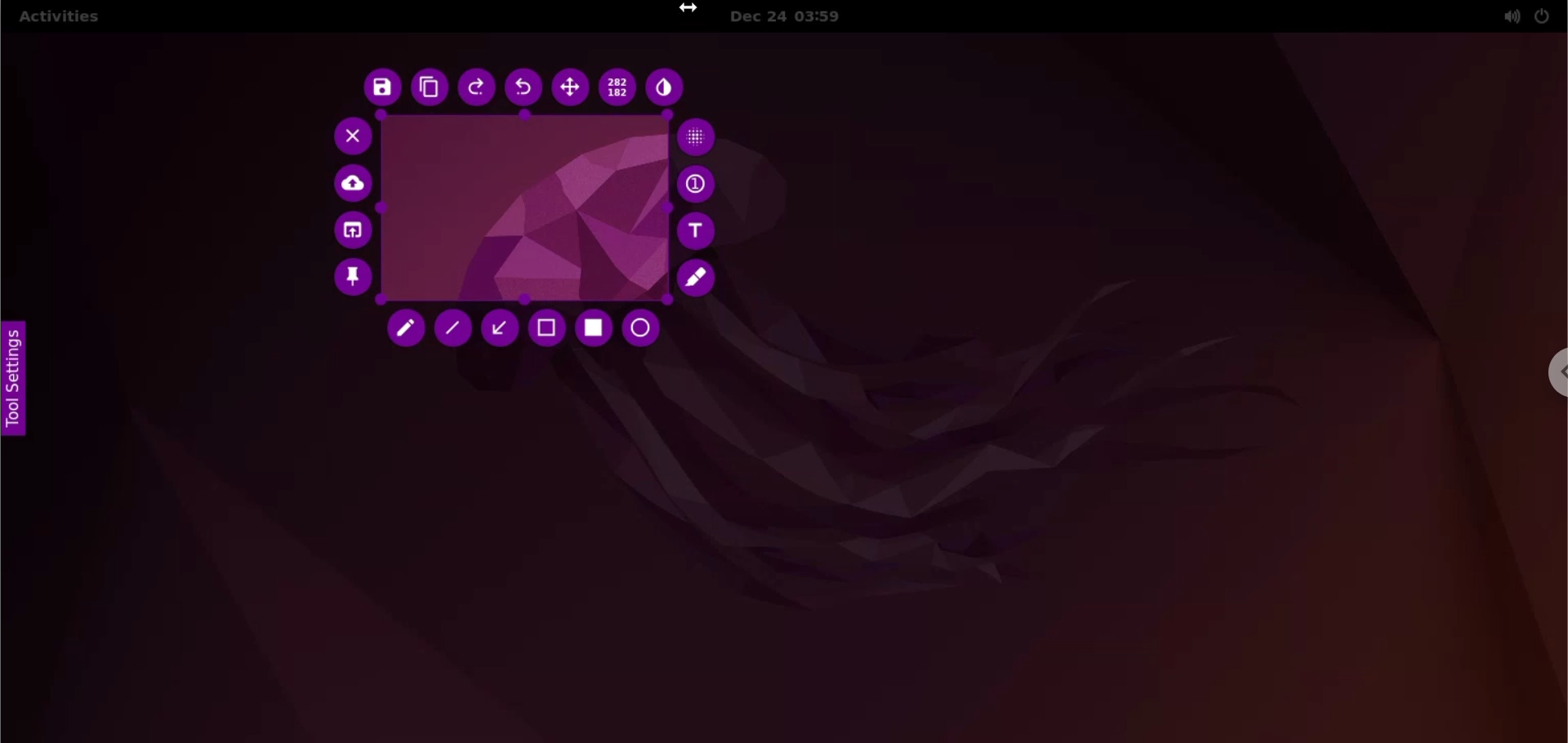  Describe the element at coordinates (697, 137) in the screenshot. I see `pixelette` at that location.